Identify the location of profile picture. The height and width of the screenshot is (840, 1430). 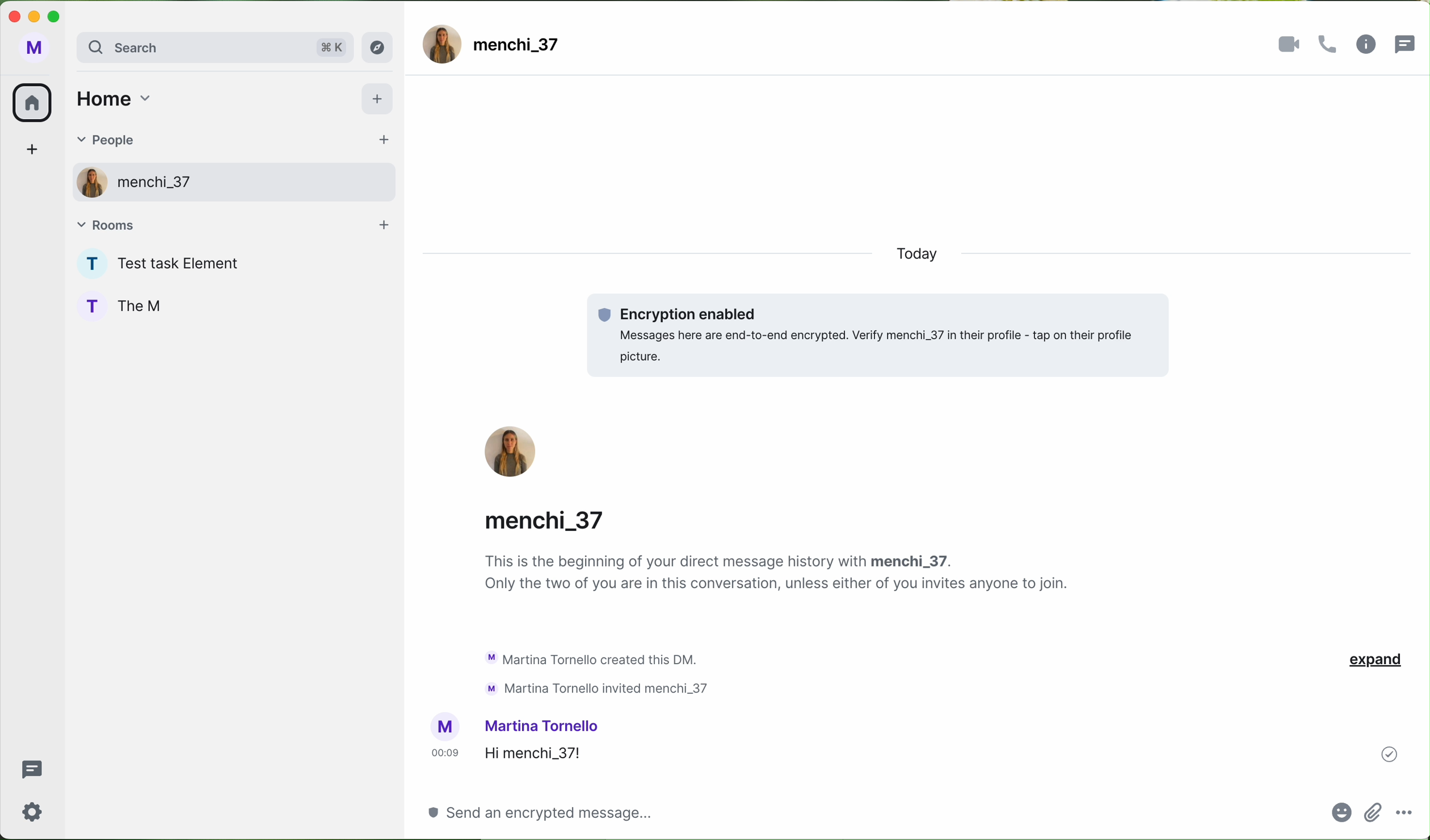
(512, 453).